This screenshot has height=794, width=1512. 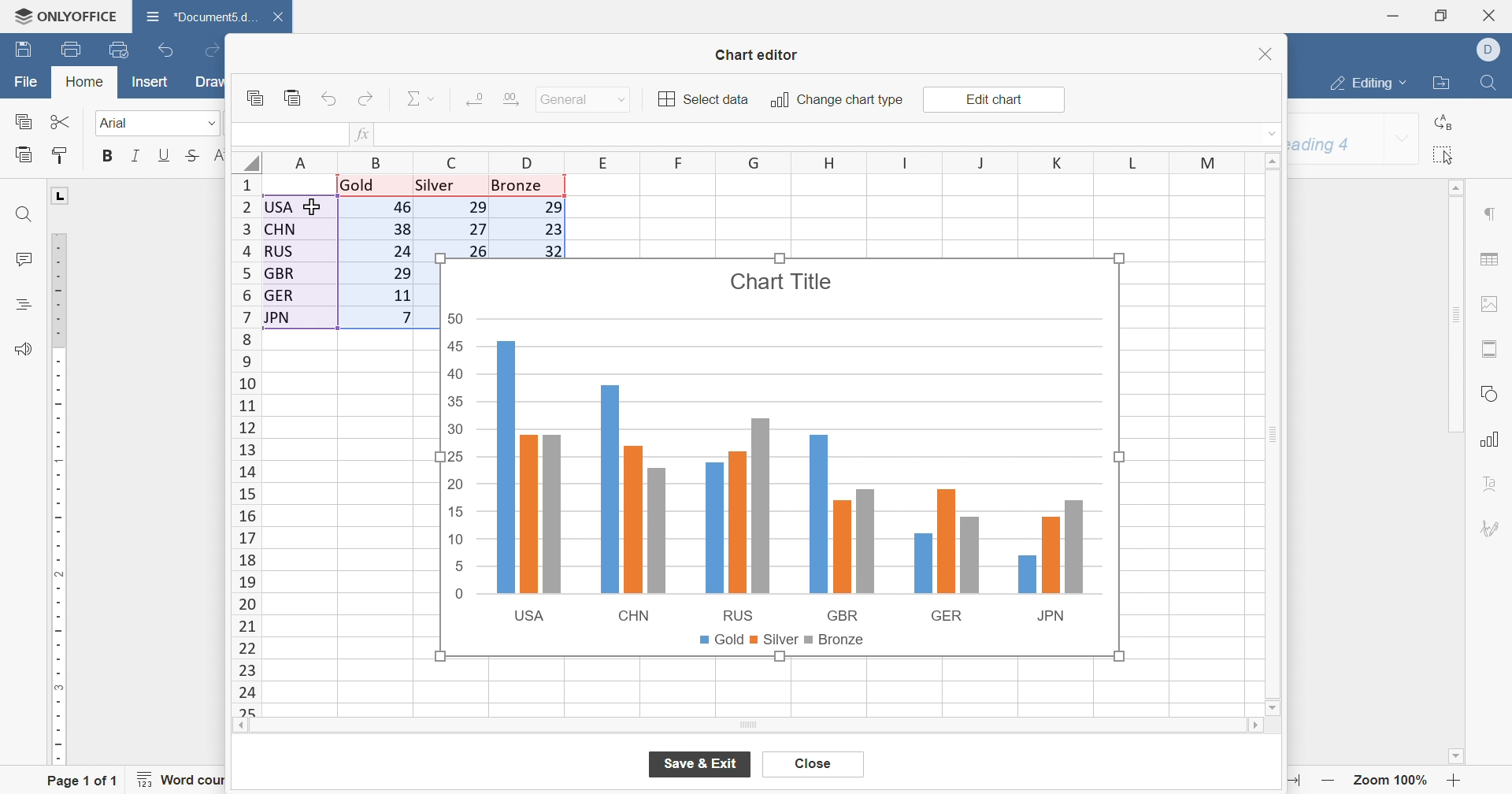 I want to click on ruler, so click(x=56, y=499).